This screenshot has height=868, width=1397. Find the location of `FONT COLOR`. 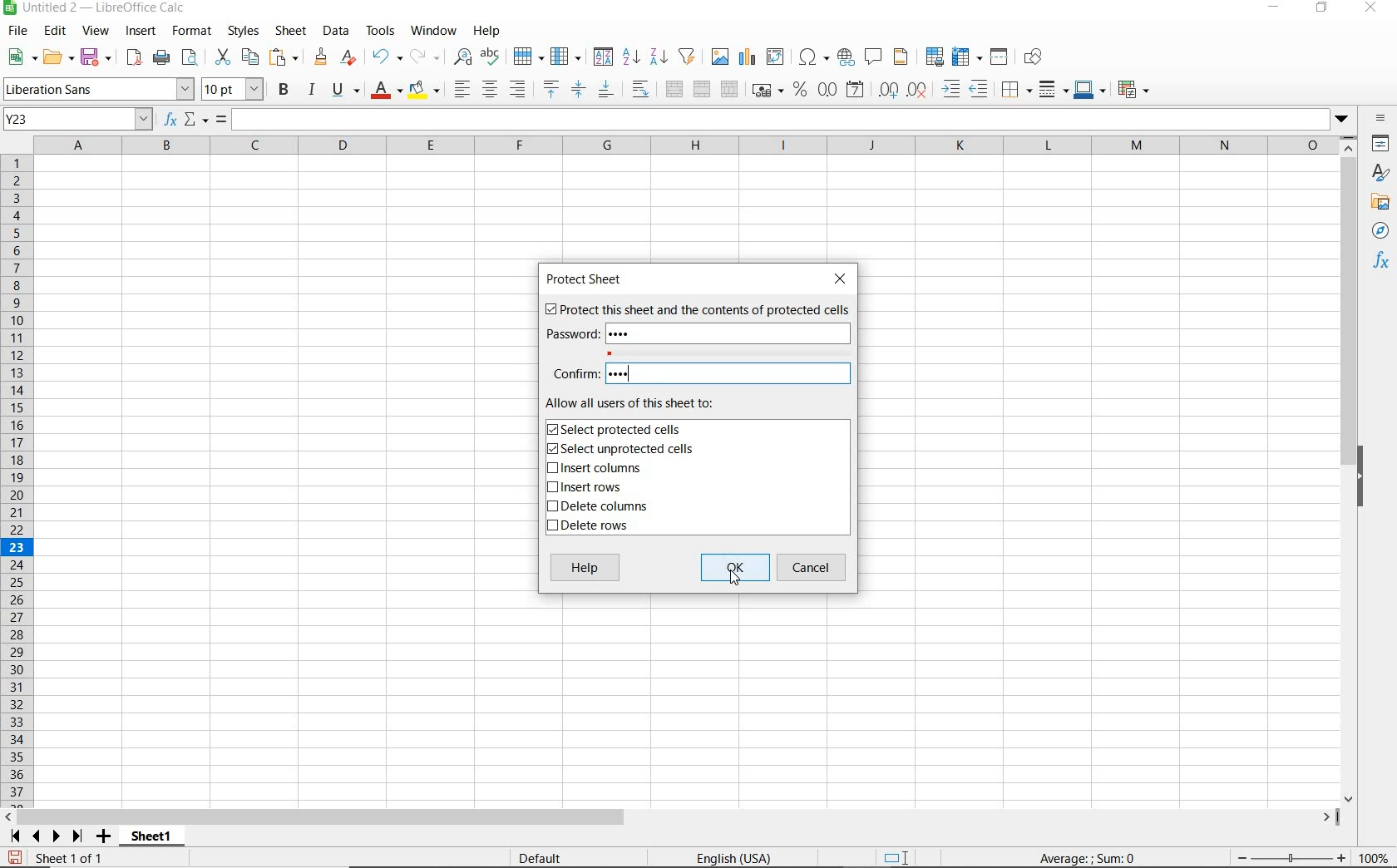

FONT COLOR is located at coordinates (386, 91).